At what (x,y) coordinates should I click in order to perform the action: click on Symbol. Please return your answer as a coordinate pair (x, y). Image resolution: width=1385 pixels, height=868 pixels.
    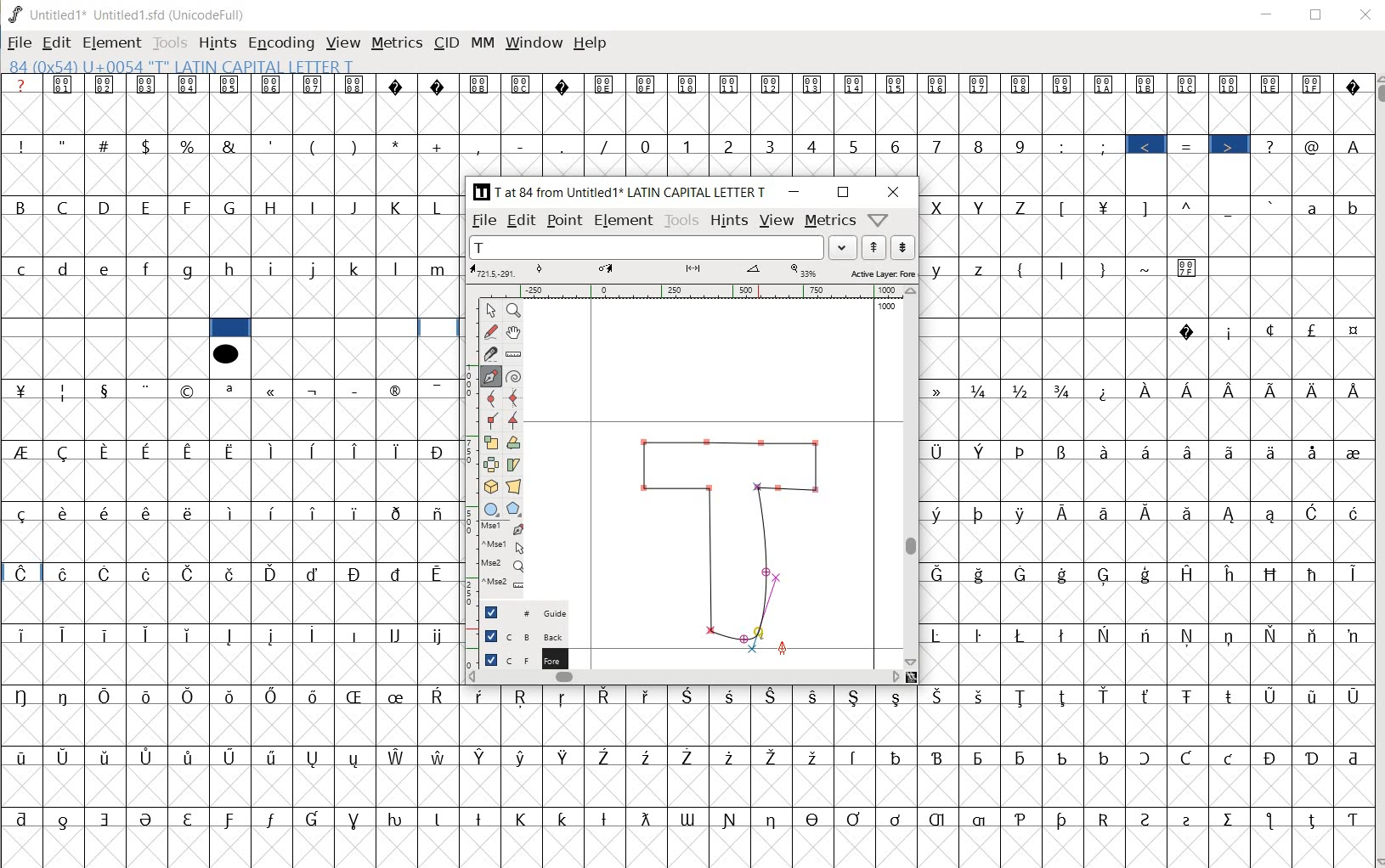
    Looking at the image, I should click on (106, 758).